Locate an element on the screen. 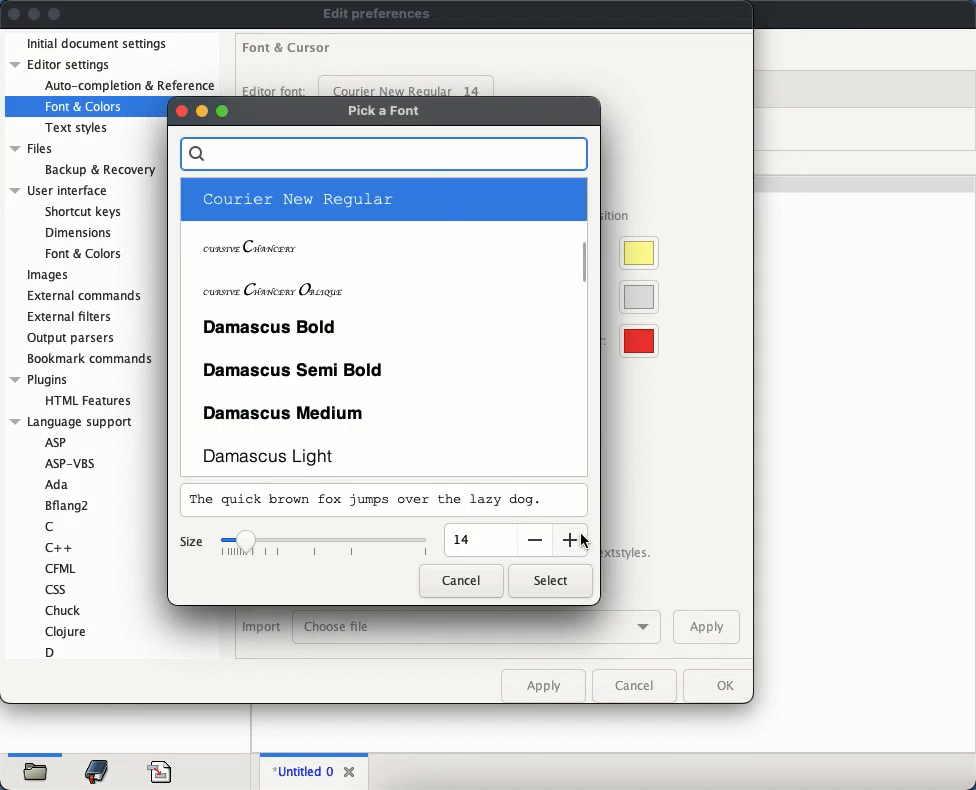  font and cursor is located at coordinates (287, 49).